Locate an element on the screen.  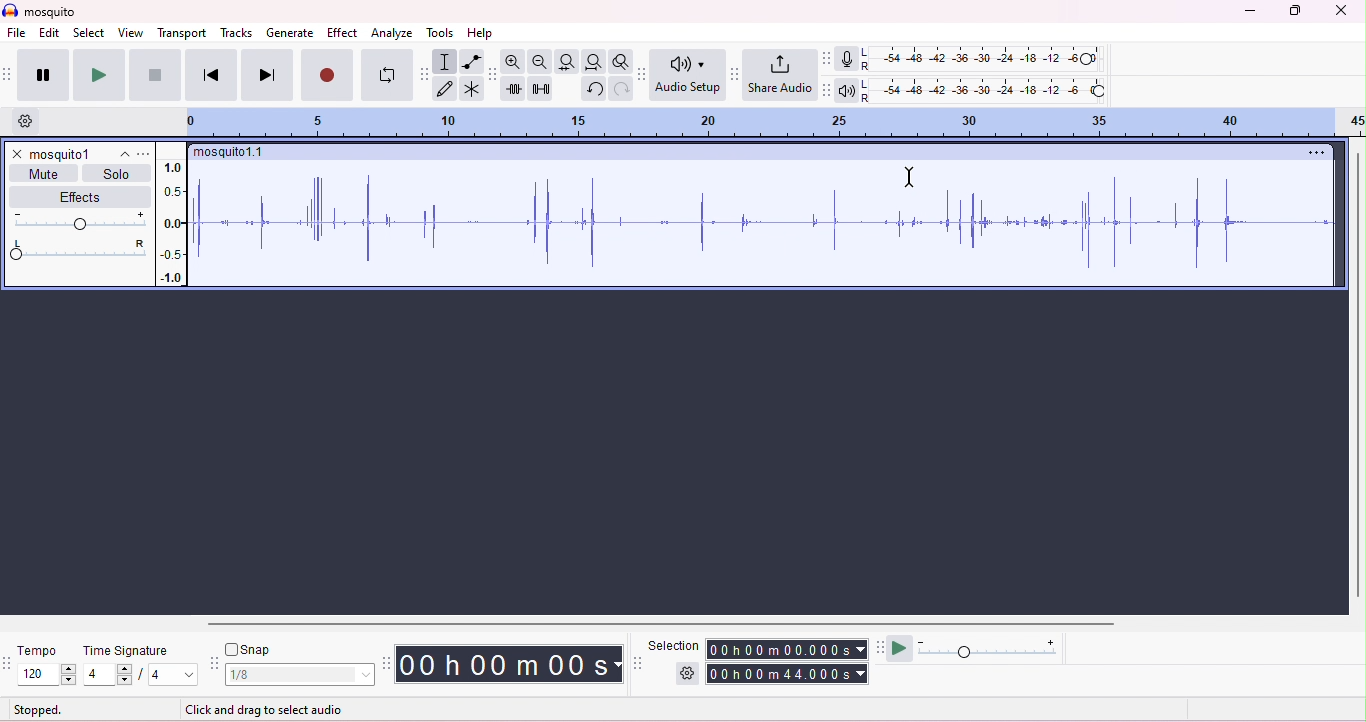
selection time is located at coordinates (789, 649).